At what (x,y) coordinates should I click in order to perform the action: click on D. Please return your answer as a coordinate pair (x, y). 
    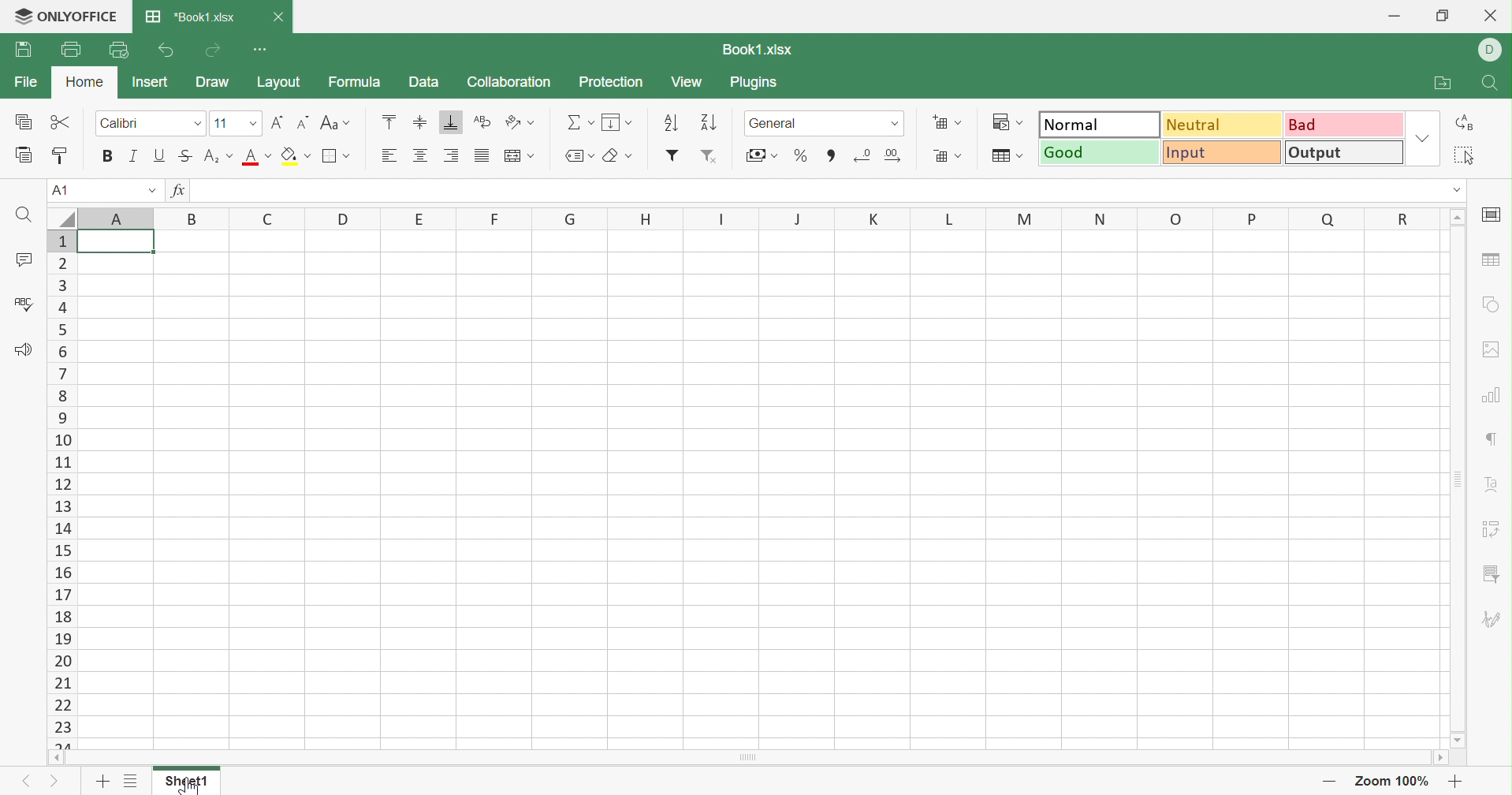
    Looking at the image, I should click on (1489, 49).